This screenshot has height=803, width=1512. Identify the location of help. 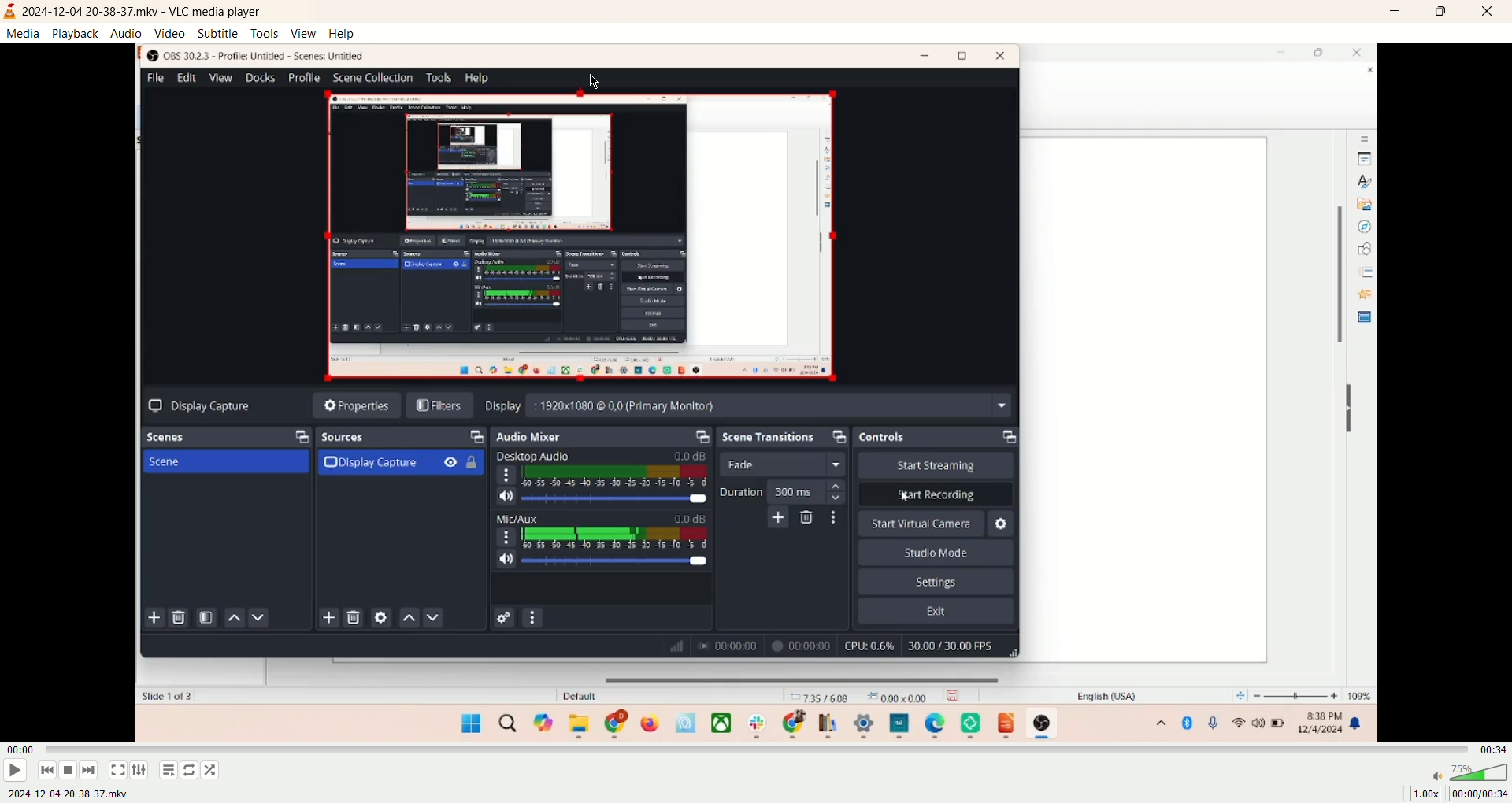
(342, 34).